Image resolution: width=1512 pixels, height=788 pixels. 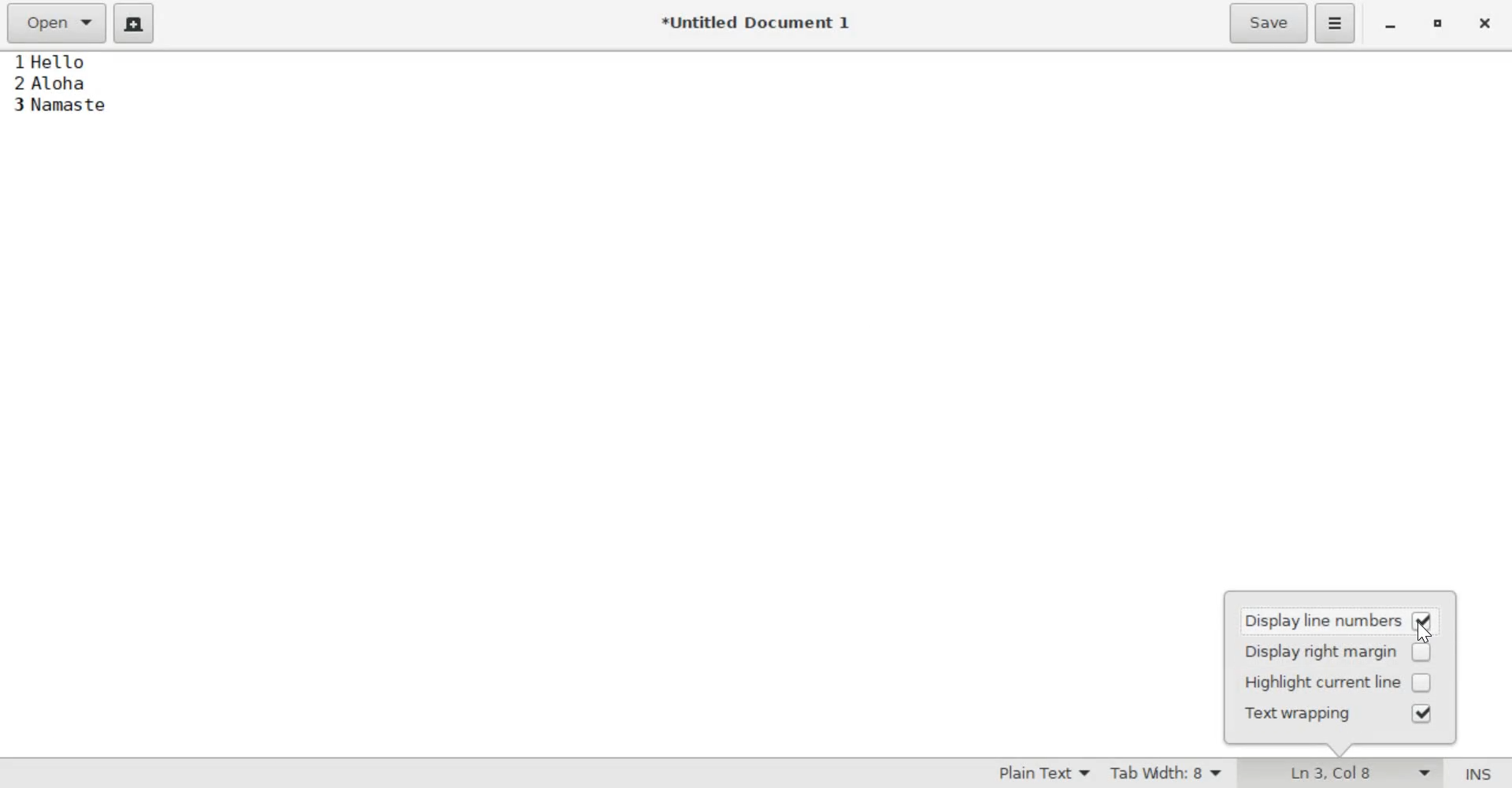 I want to click on maximize, so click(x=1437, y=24).